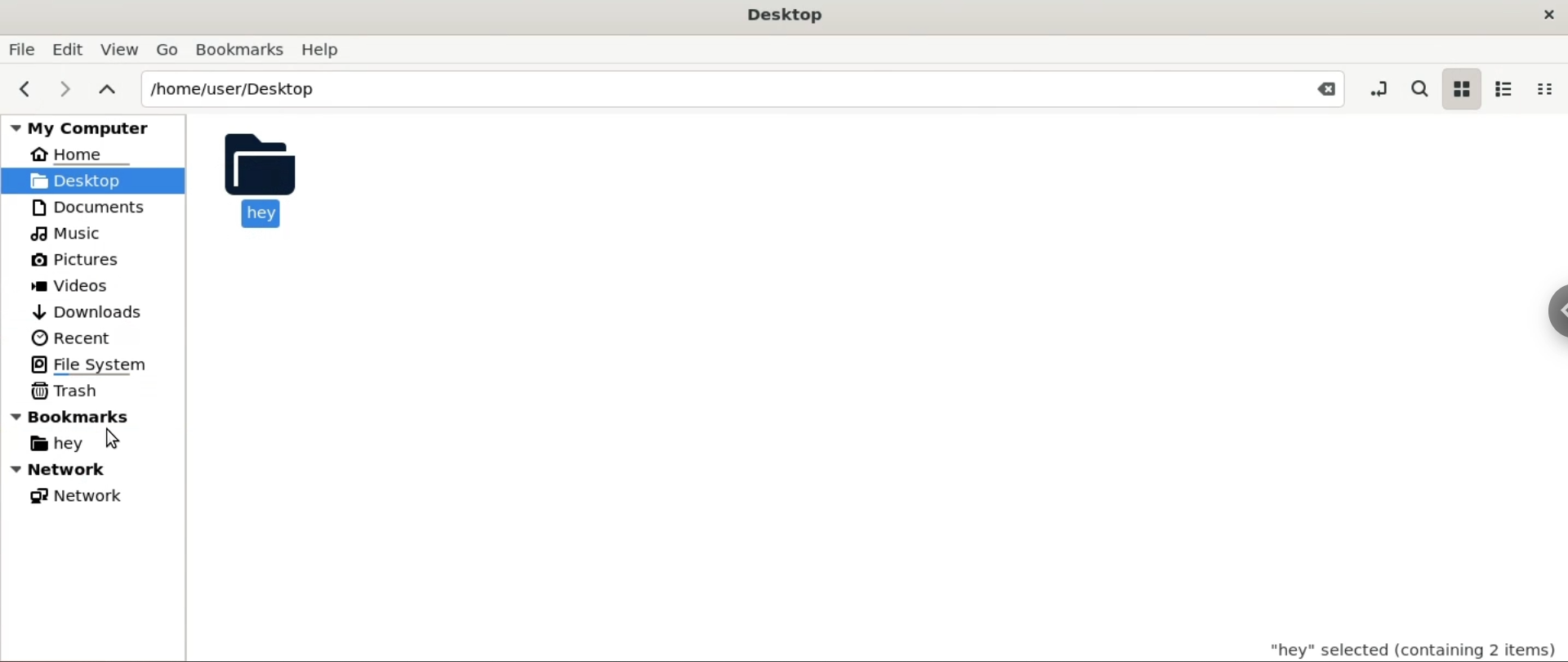 This screenshot has width=1568, height=662. I want to click on next, so click(67, 87).